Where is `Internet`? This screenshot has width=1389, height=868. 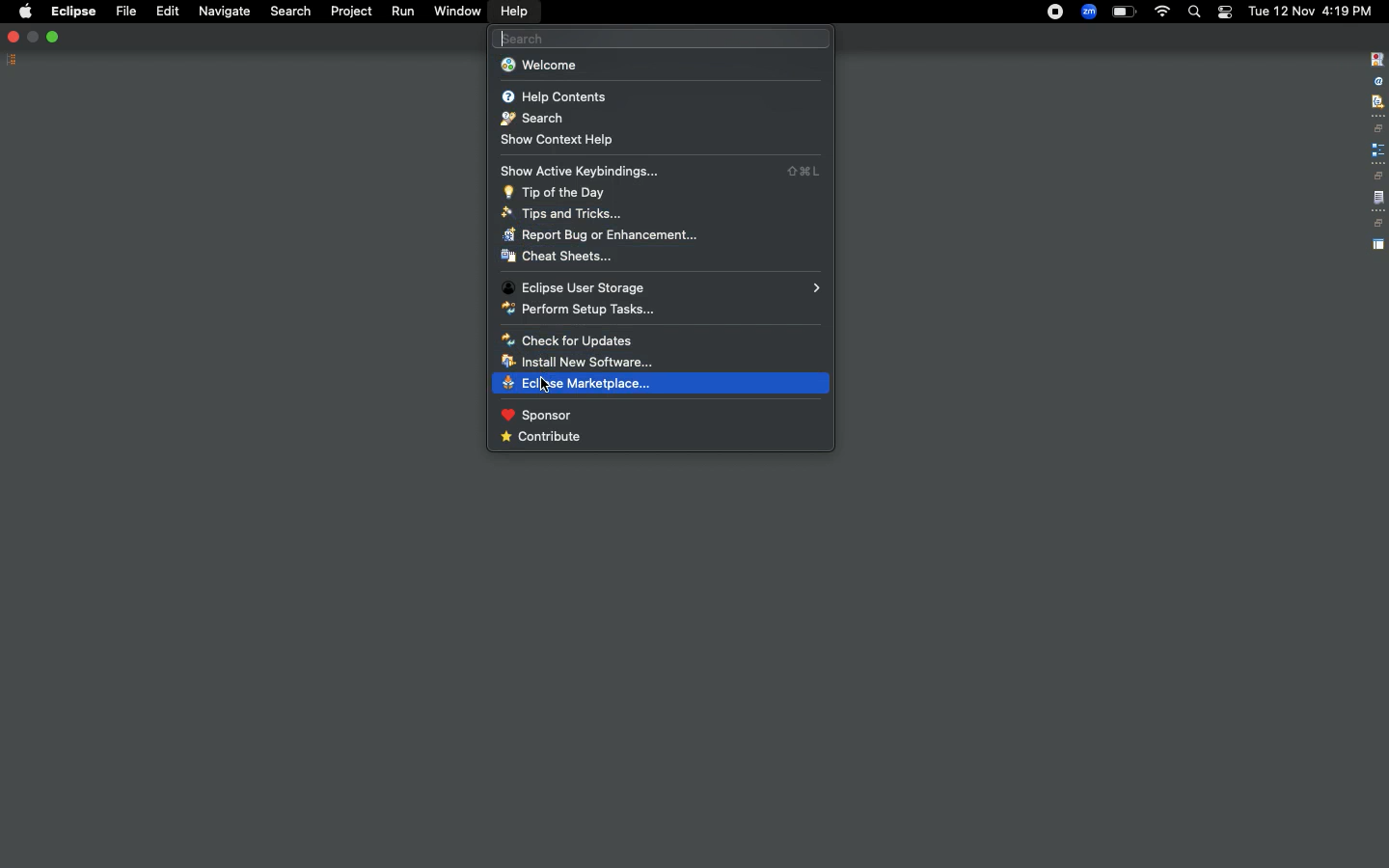 Internet is located at coordinates (1162, 14).